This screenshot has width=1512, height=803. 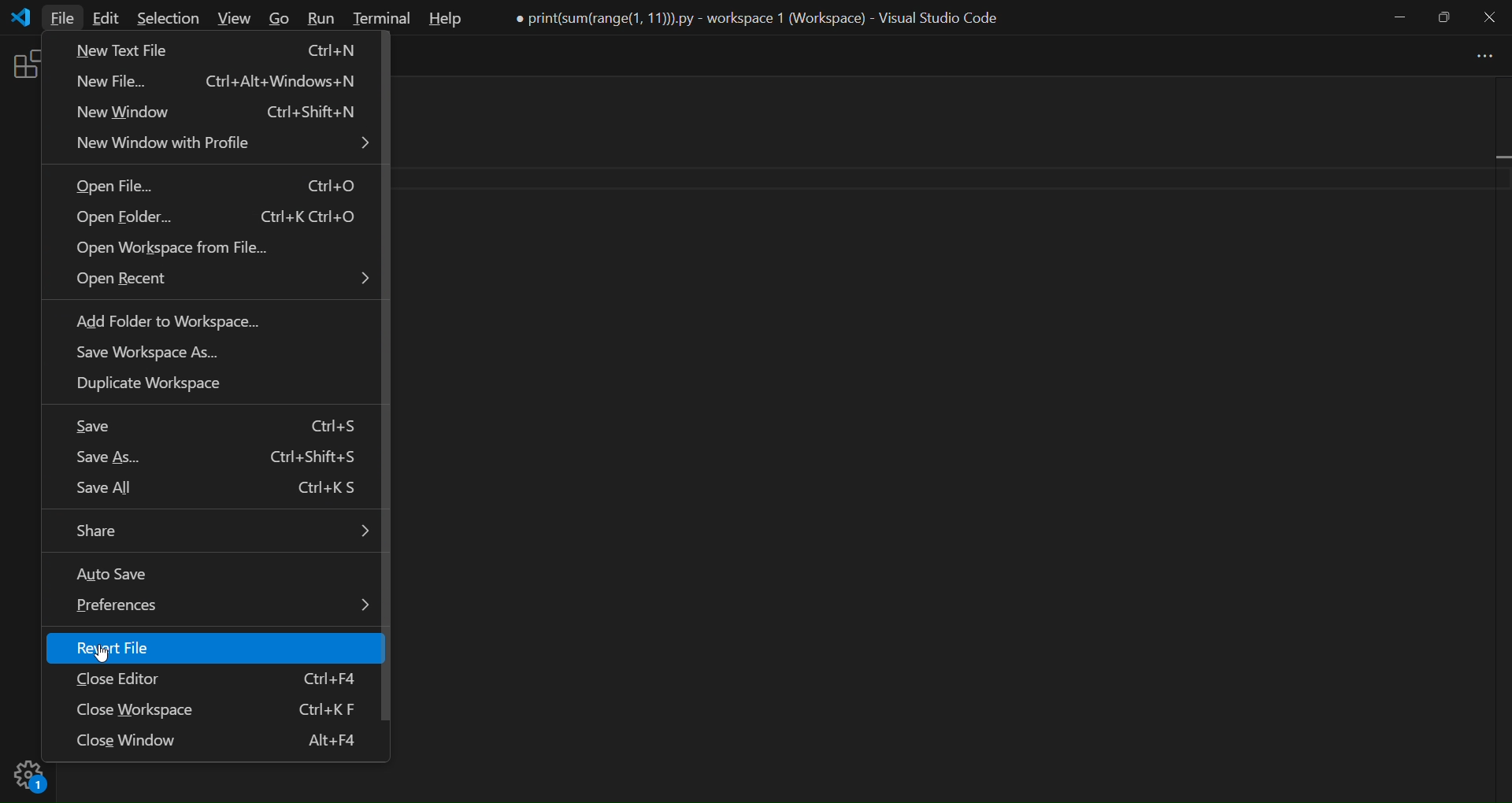 I want to click on revert file, so click(x=156, y=648).